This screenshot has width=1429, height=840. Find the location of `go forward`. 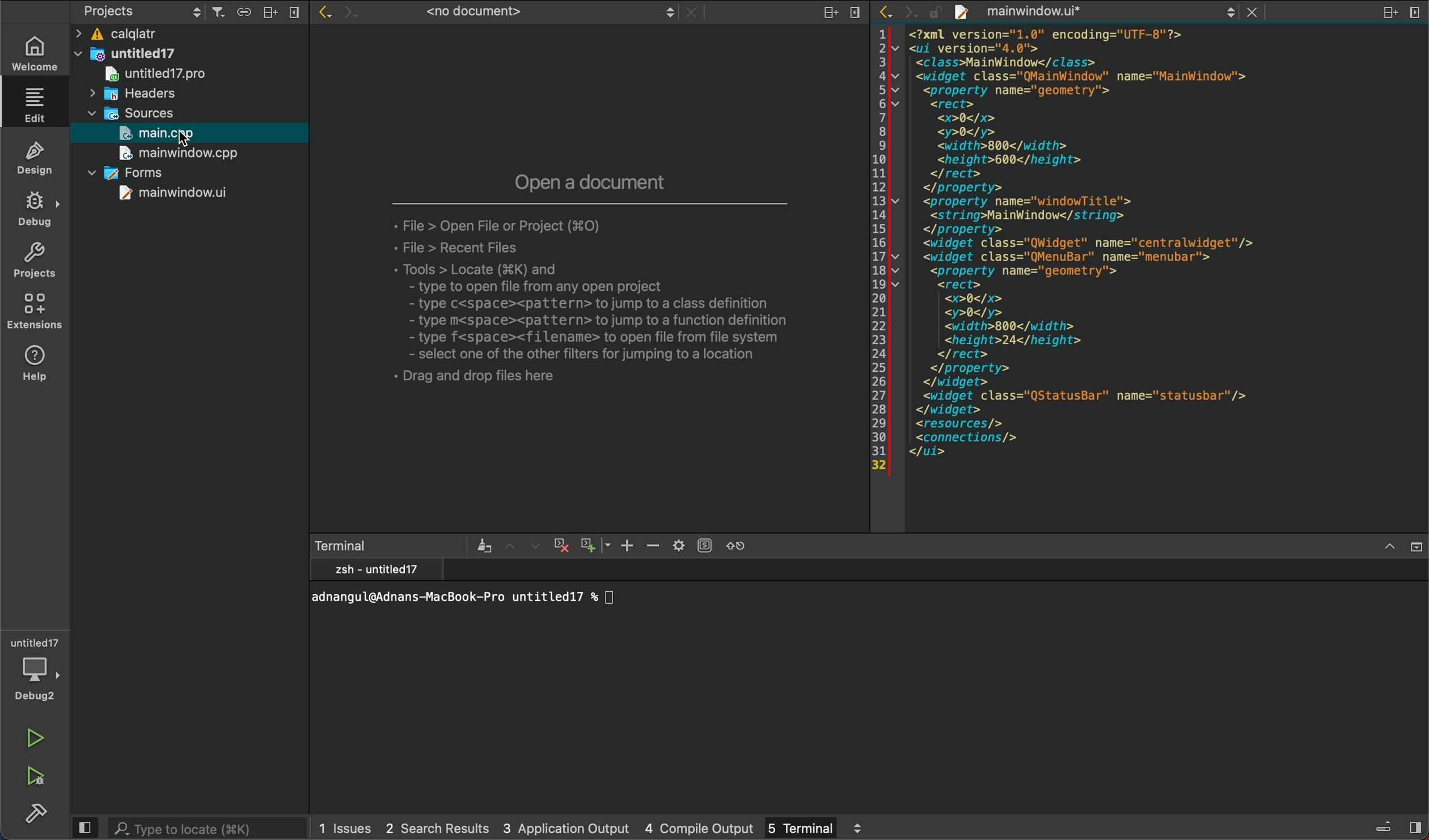

go forward is located at coordinates (352, 14).